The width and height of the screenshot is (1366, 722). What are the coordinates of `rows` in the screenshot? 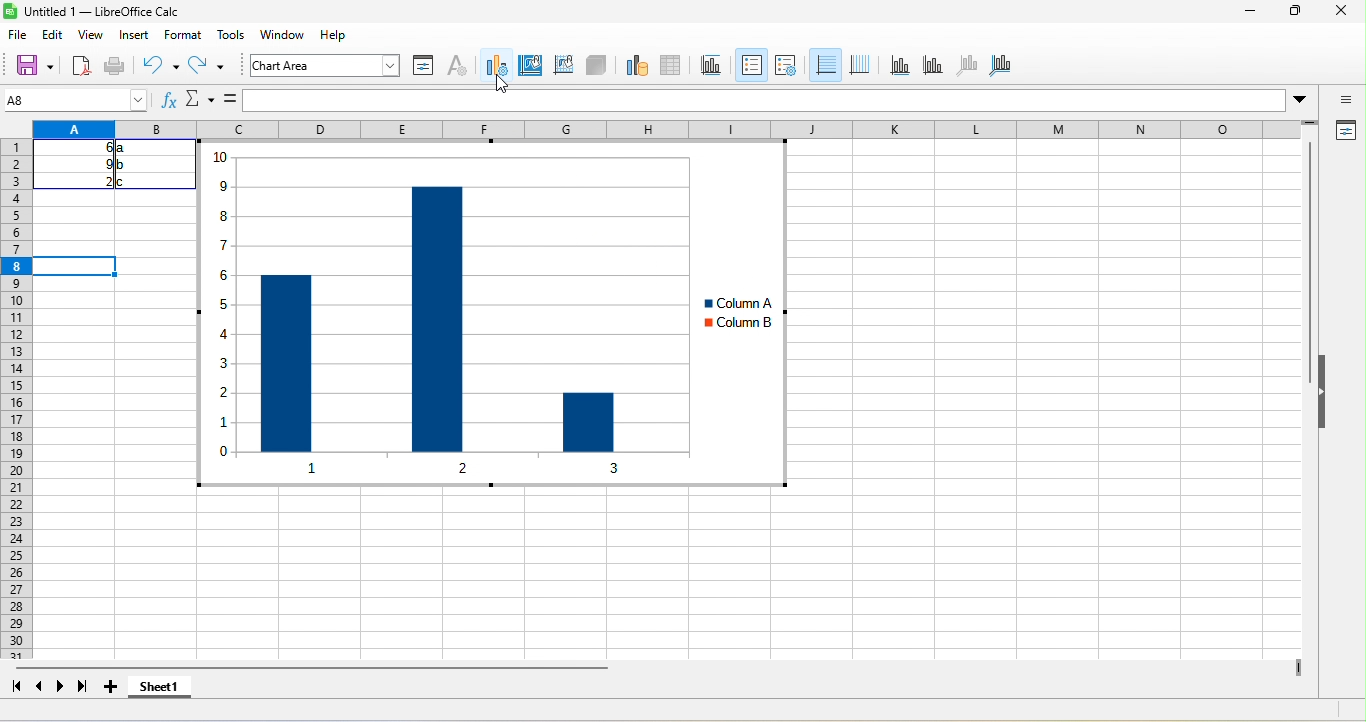 It's located at (19, 421).